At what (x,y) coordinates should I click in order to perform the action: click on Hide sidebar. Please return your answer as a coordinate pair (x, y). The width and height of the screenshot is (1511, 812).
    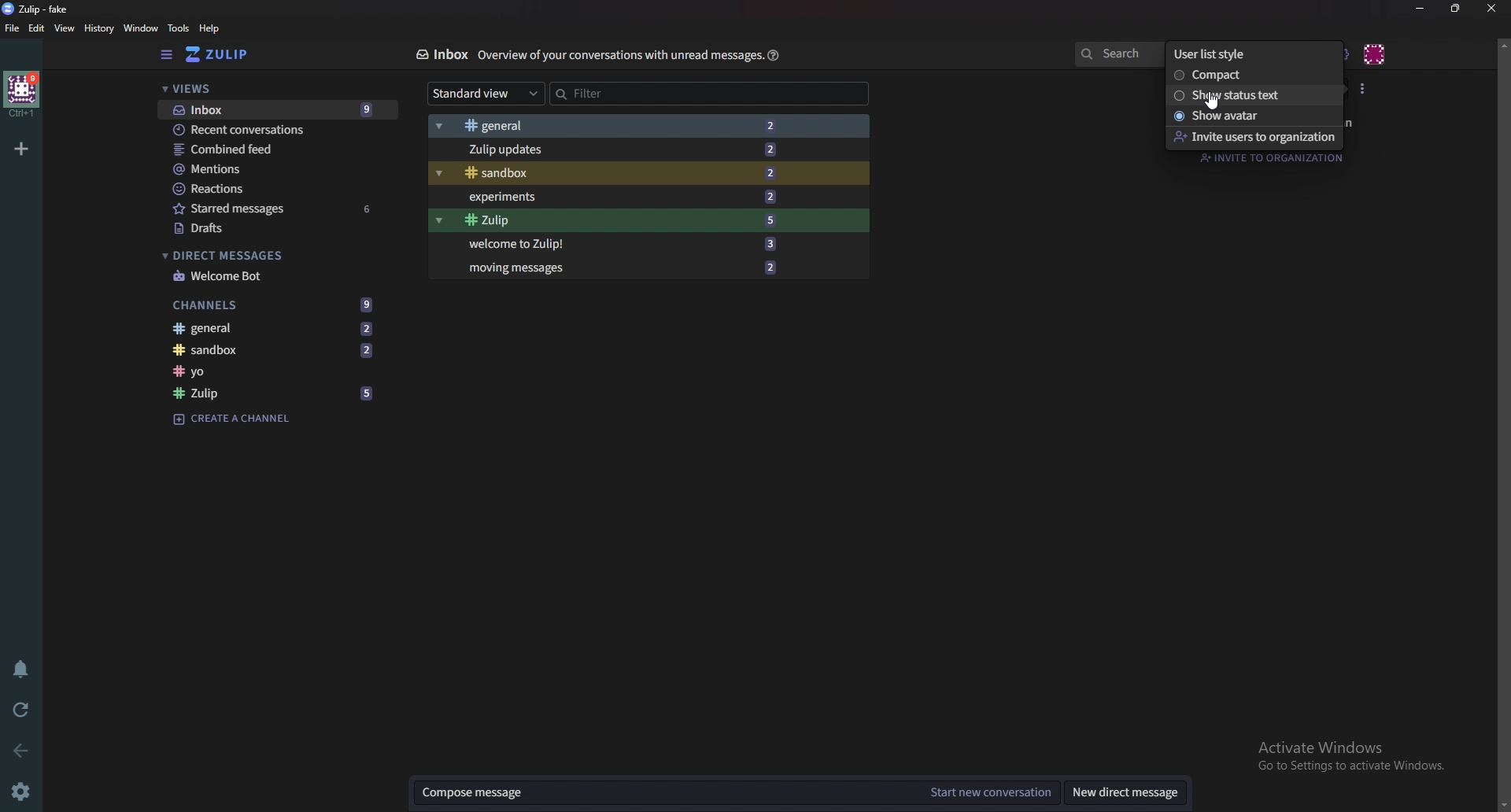
    Looking at the image, I should click on (164, 56).